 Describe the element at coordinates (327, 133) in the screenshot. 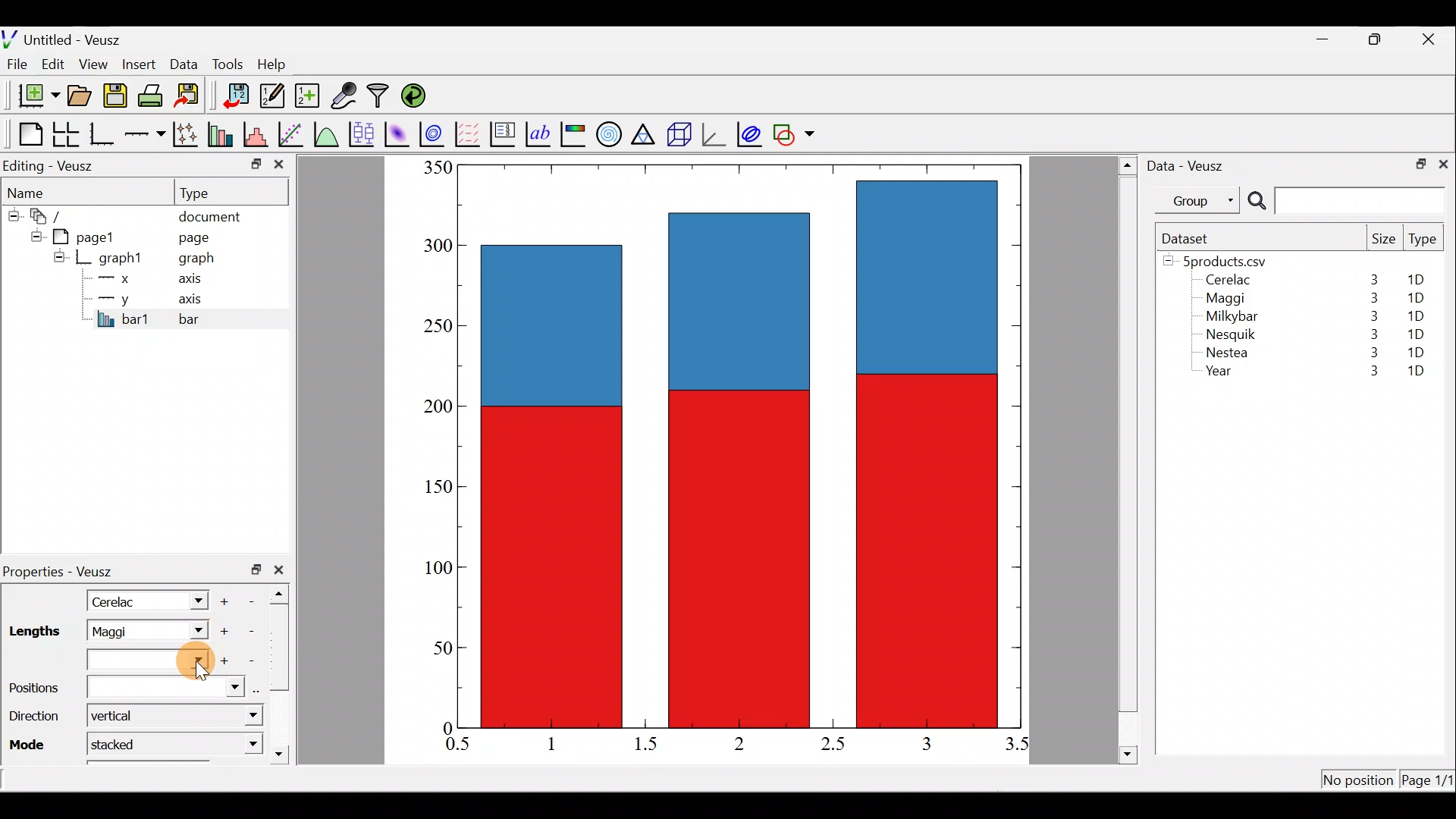

I see `Plot a function` at that location.